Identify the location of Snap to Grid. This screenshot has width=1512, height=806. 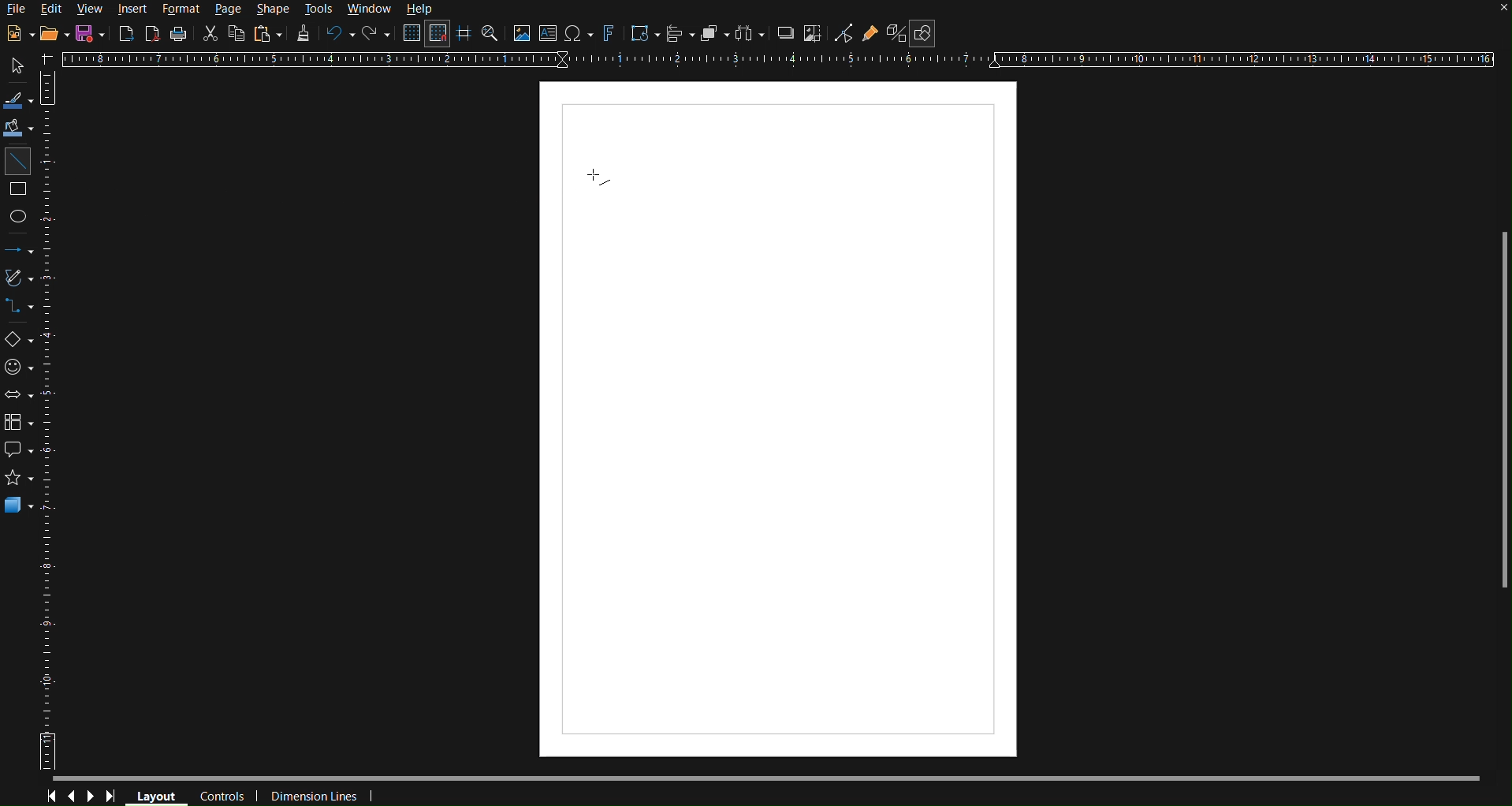
(438, 34).